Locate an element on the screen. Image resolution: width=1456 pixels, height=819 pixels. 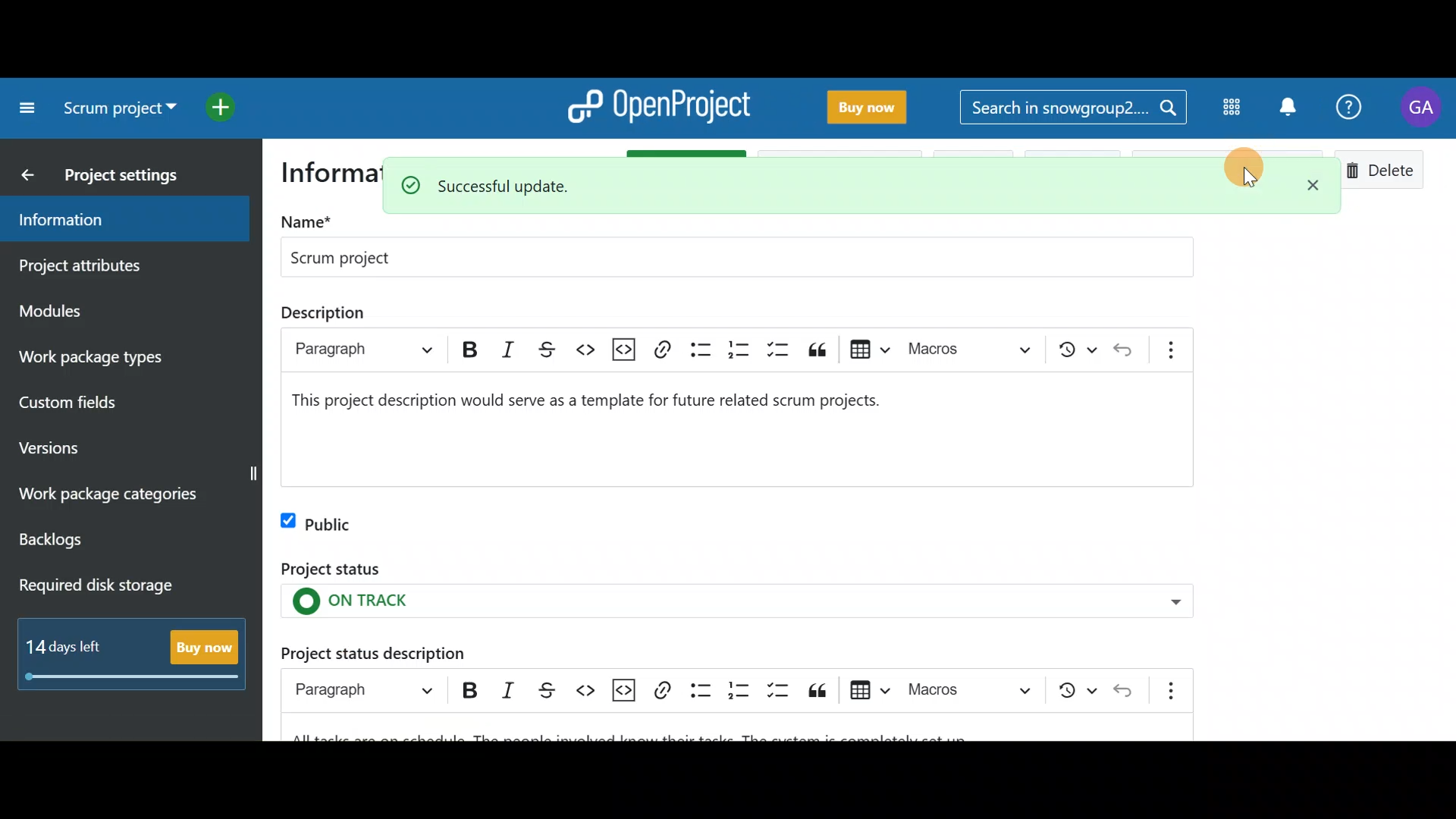
Project attributes is located at coordinates (108, 265).